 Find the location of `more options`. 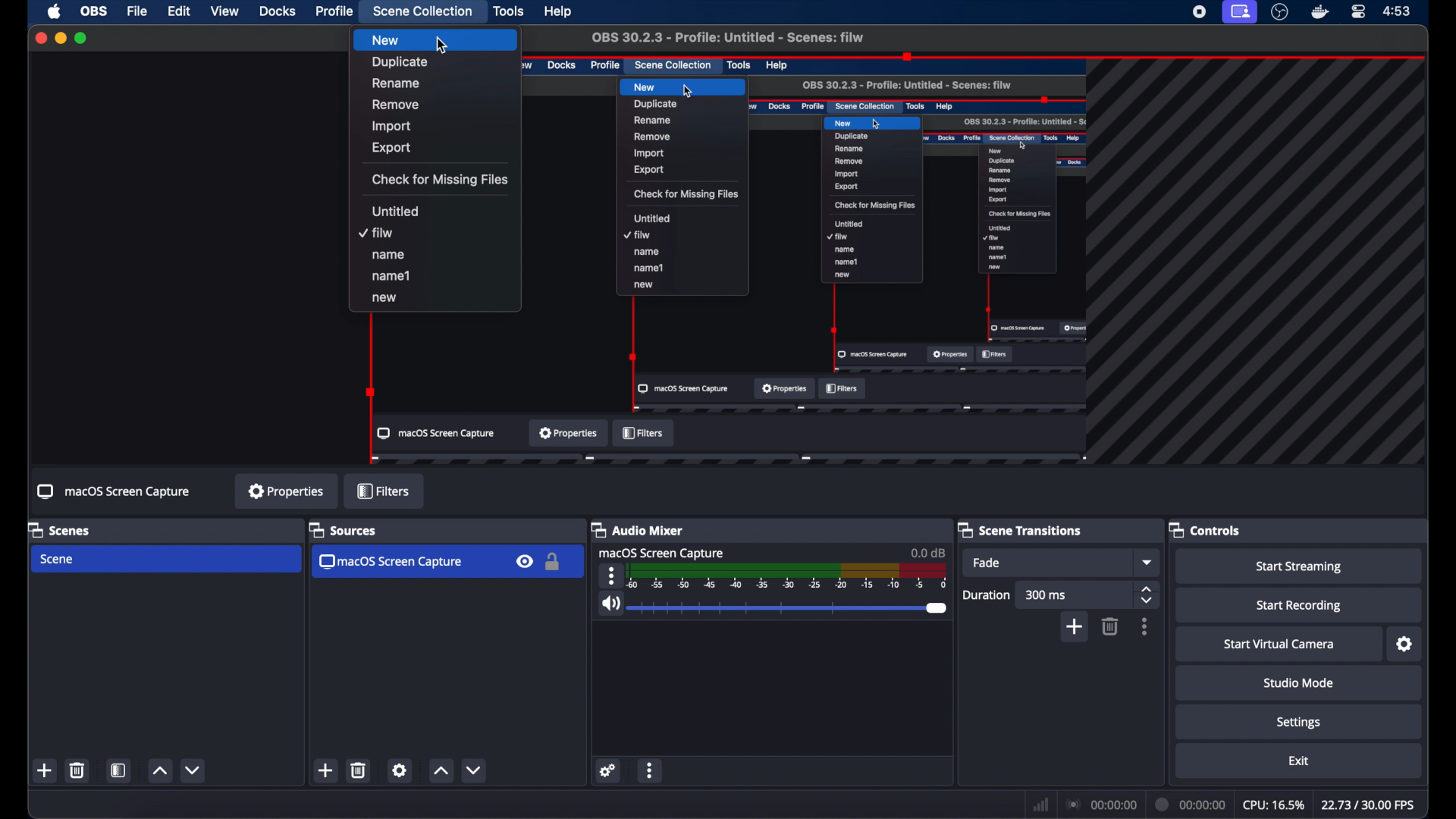

more options is located at coordinates (1146, 626).